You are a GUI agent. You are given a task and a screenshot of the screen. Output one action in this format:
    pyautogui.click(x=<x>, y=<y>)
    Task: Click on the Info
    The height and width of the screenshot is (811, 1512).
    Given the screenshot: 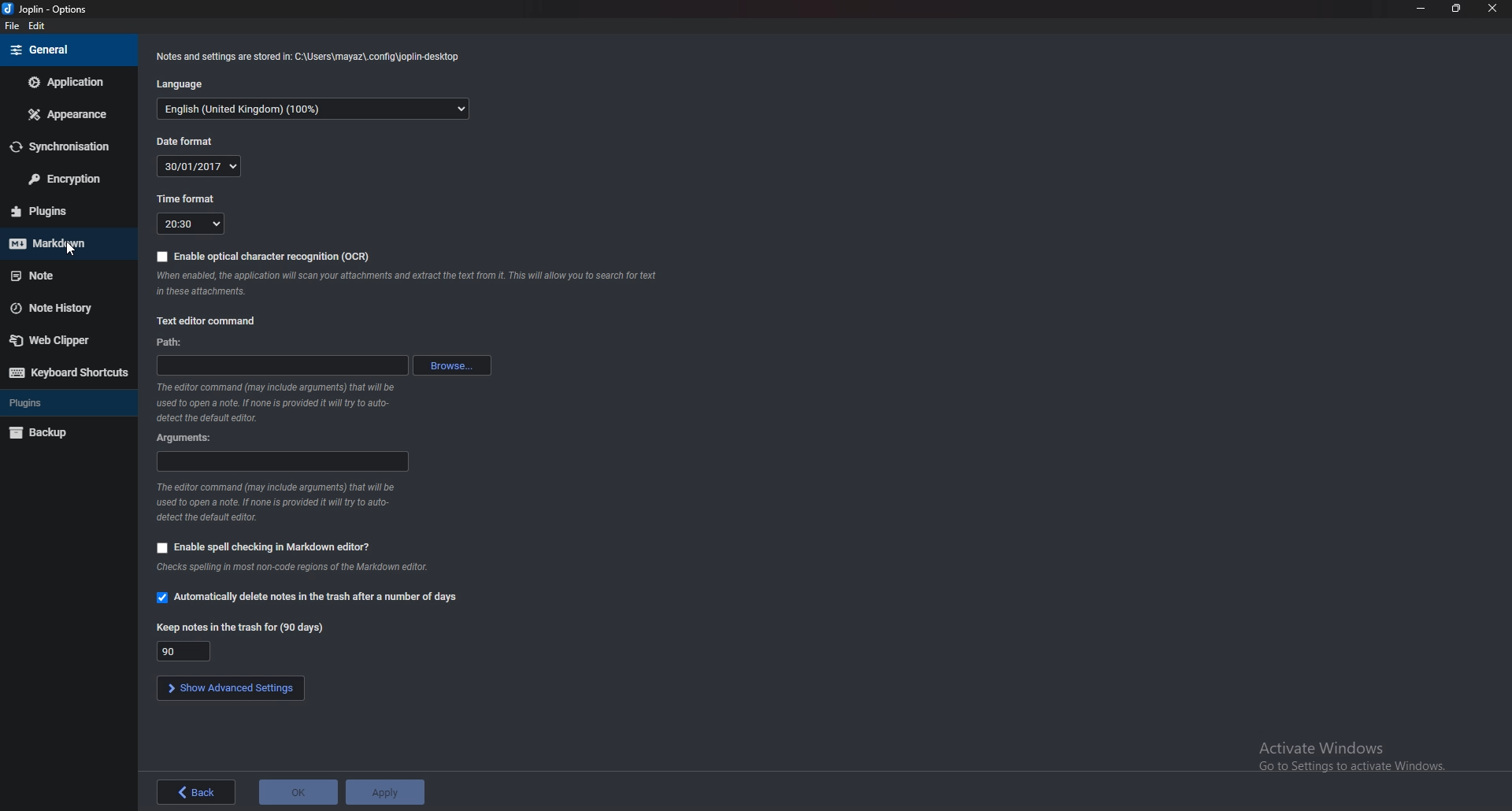 What is the action you would take?
    pyautogui.click(x=306, y=56)
    